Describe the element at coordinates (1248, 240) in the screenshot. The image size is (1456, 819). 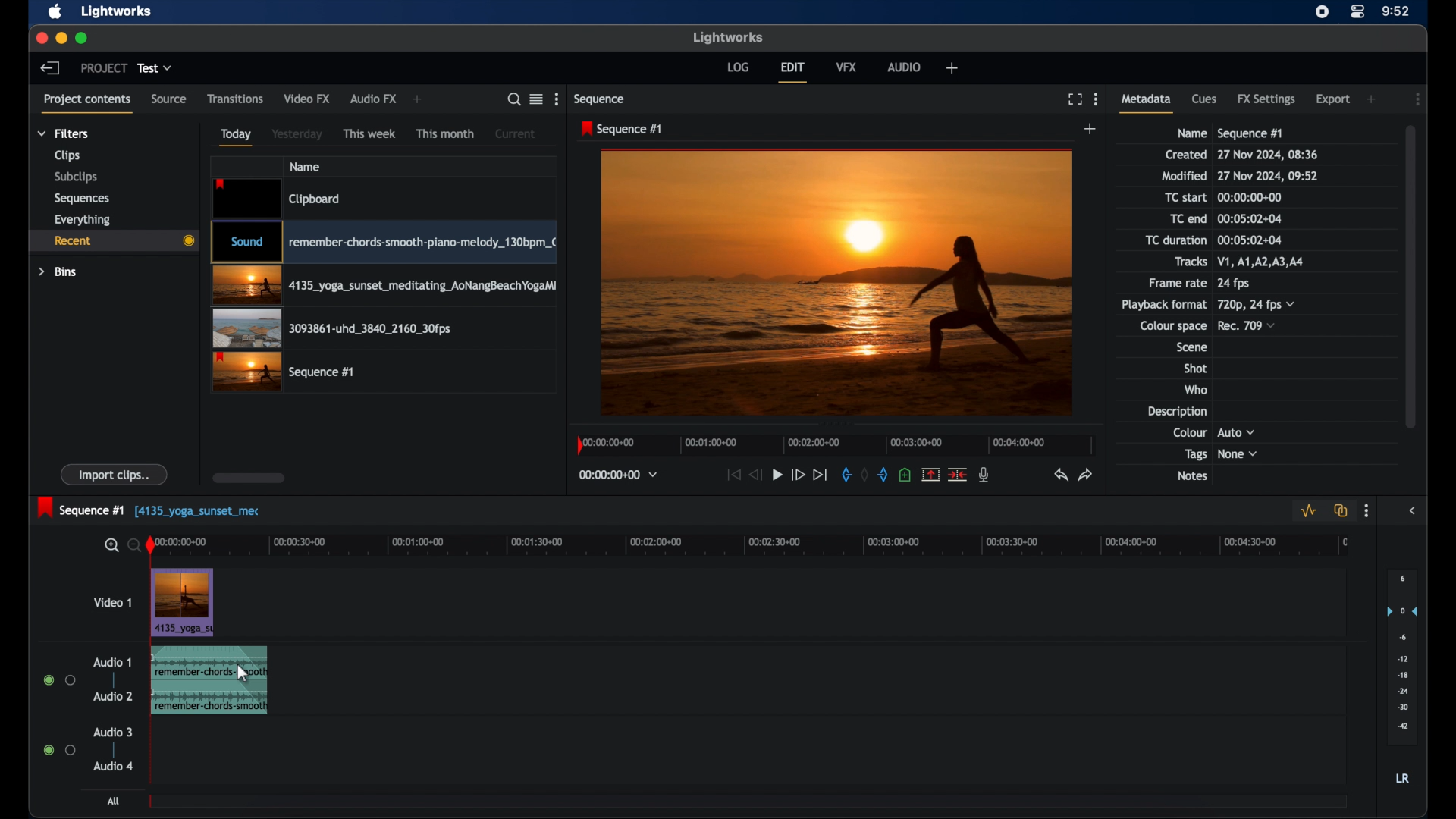
I see `tc duration` at that location.